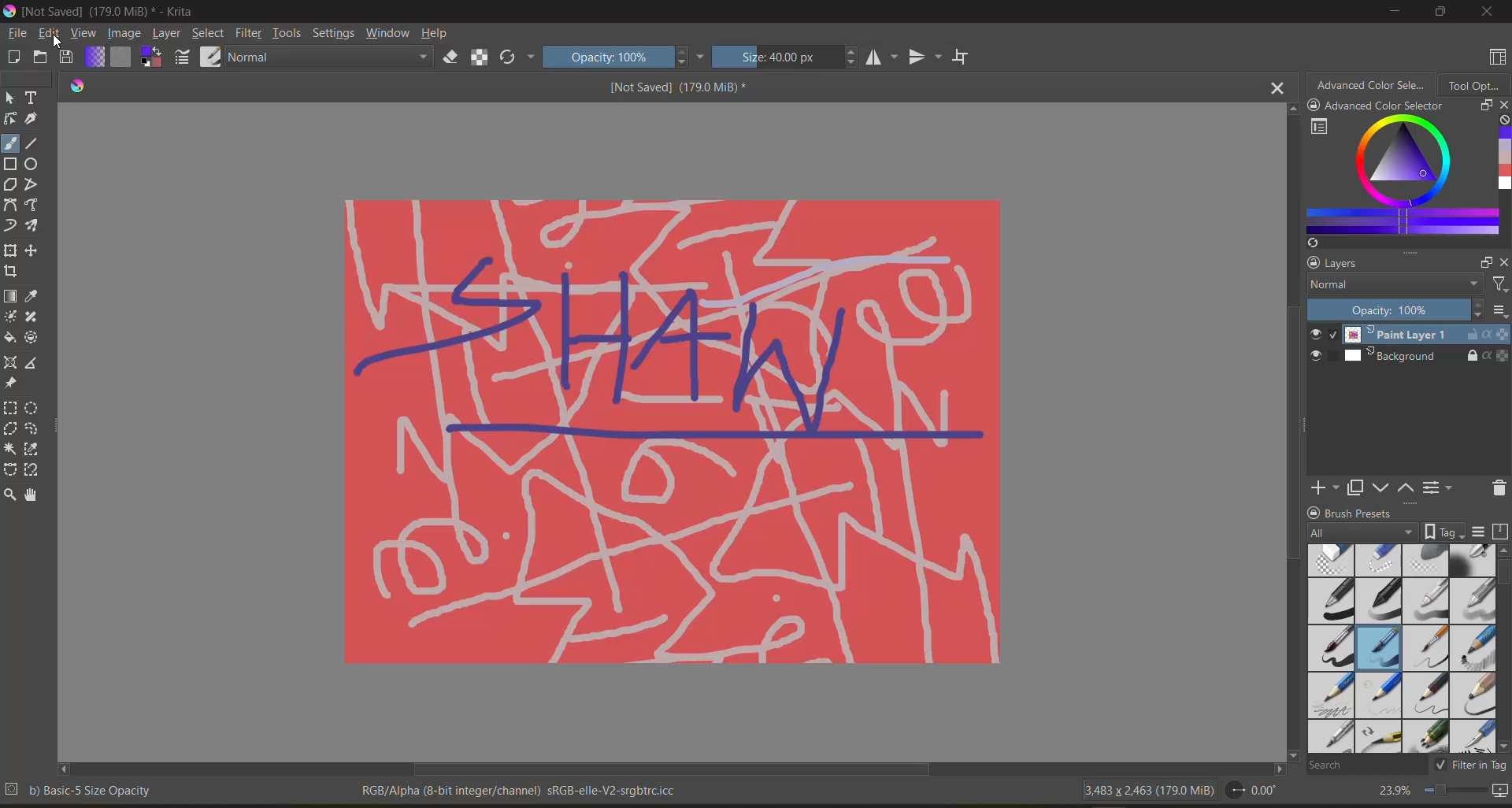 This screenshot has height=808, width=1512. What do you see at coordinates (12, 428) in the screenshot?
I see `Polygonal selection tool` at bounding box center [12, 428].